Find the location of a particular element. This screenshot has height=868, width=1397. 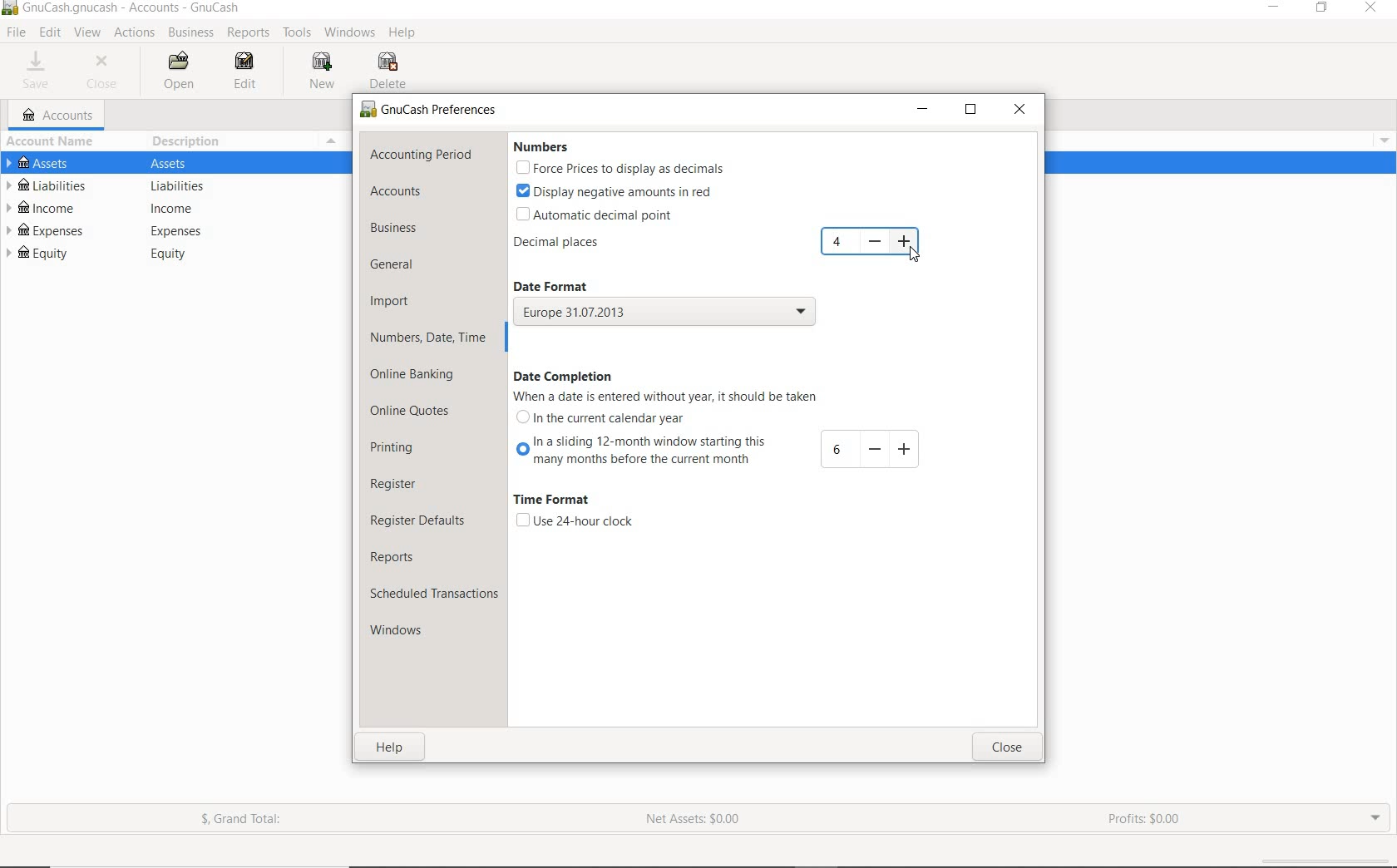

VIEW is located at coordinates (89, 33).